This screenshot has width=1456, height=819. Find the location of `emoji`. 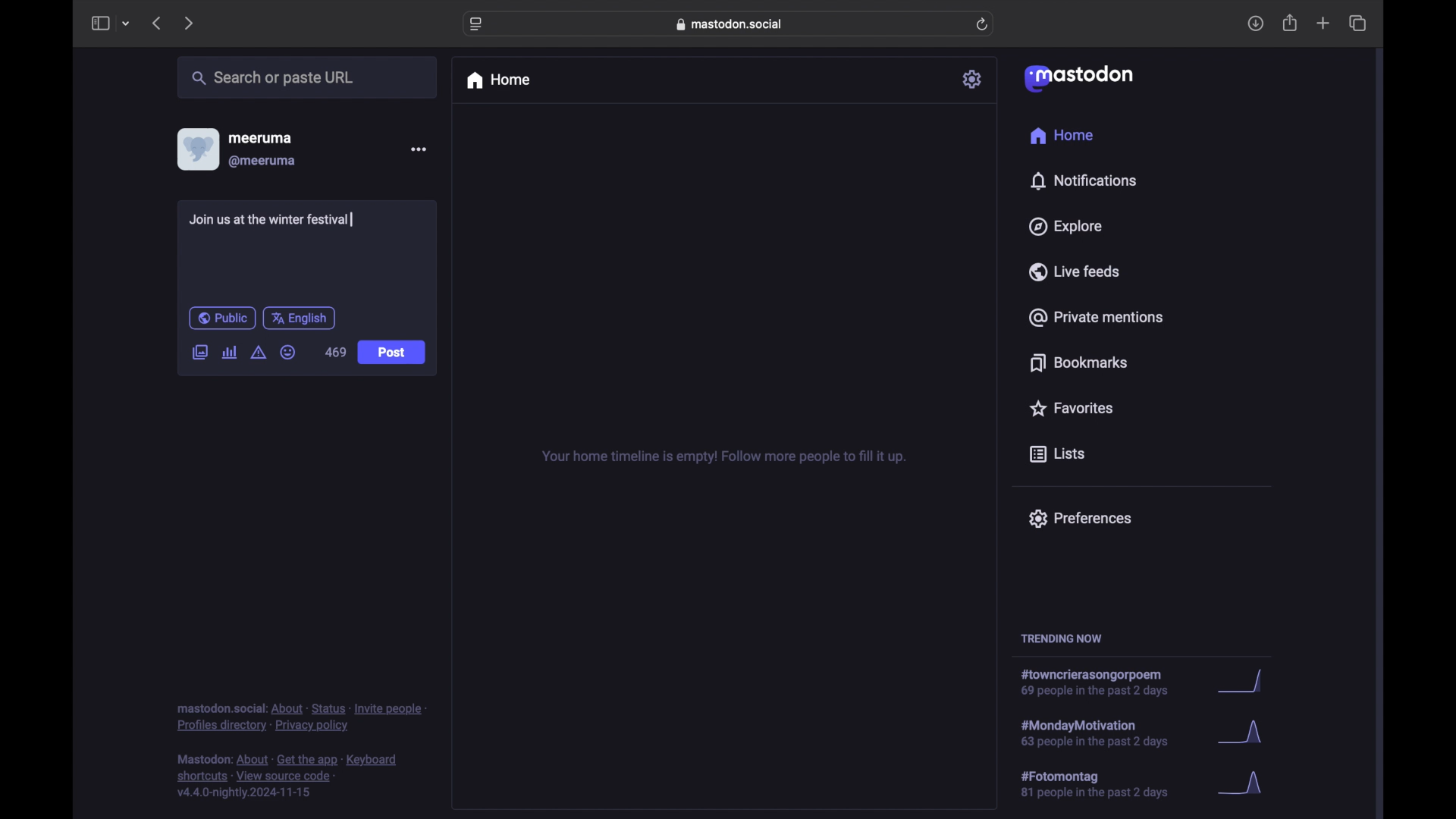

emoji is located at coordinates (288, 353).